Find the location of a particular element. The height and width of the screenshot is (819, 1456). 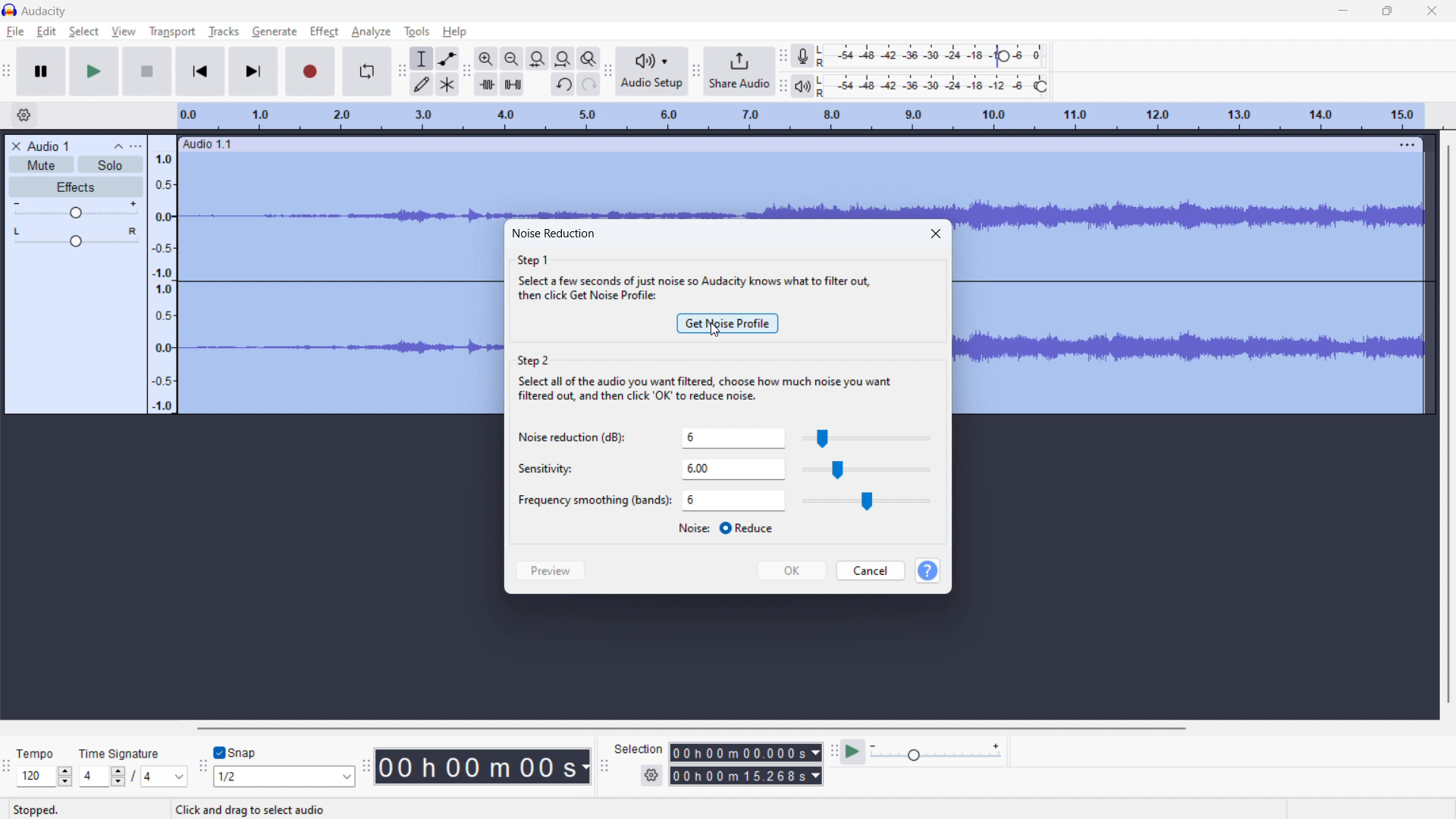

transport toolbar is located at coordinates (8, 70).